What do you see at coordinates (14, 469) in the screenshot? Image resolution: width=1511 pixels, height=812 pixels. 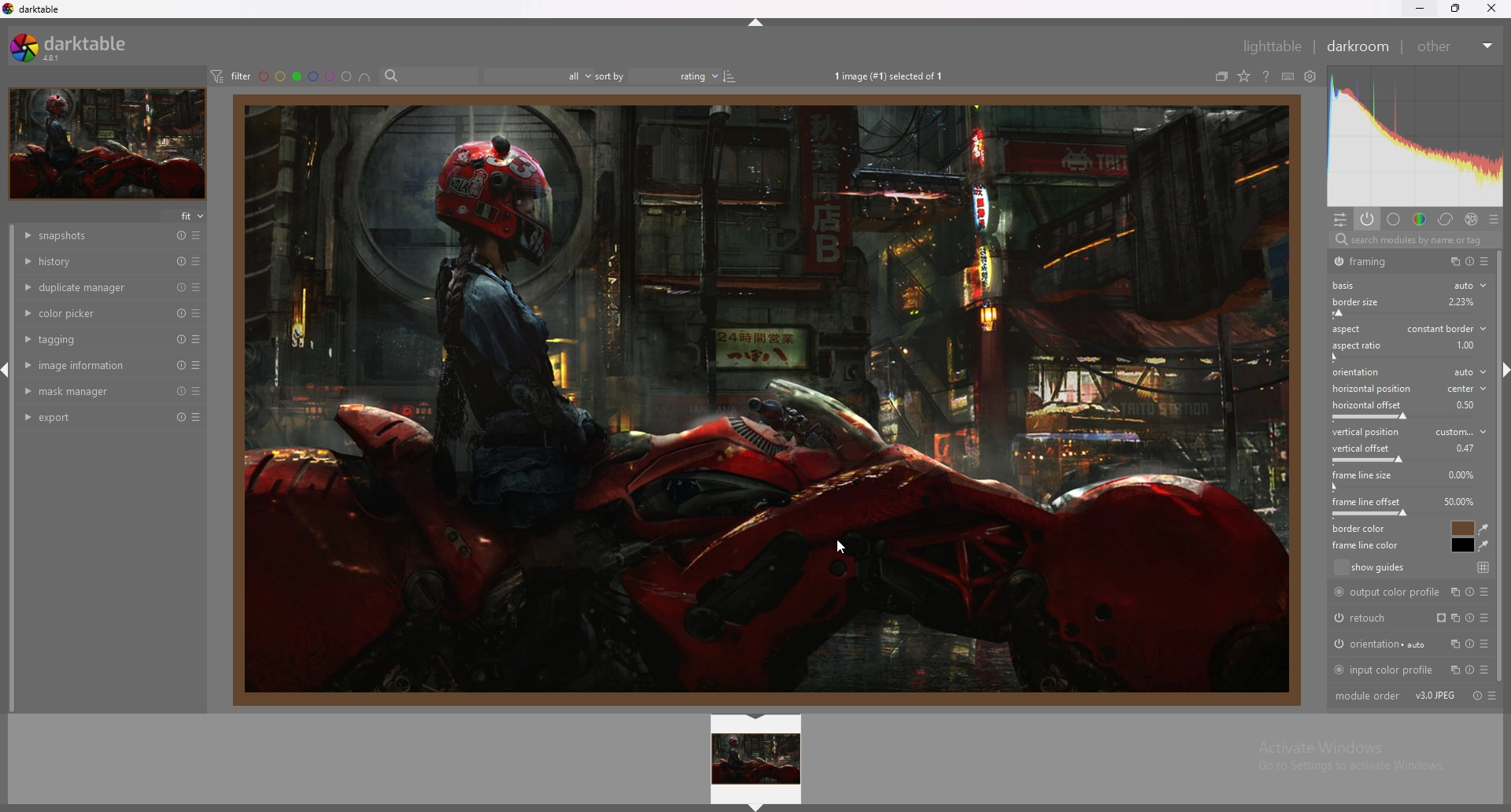 I see `scroll bar` at bounding box center [14, 469].